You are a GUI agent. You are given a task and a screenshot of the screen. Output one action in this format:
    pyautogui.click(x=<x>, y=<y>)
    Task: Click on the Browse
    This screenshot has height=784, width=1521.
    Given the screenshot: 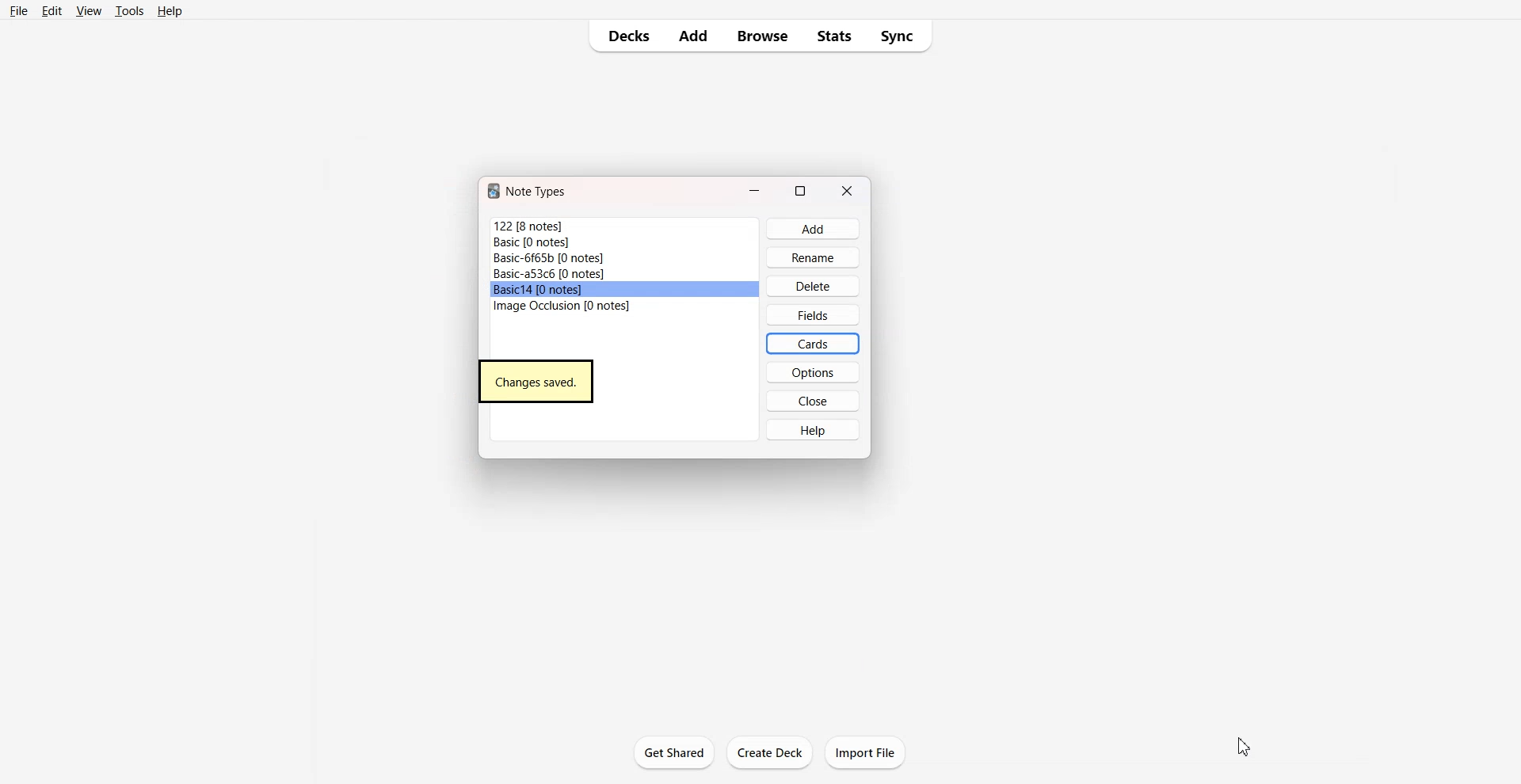 What is the action you would take?
    pyautogui.click(x=763, y=36)
    